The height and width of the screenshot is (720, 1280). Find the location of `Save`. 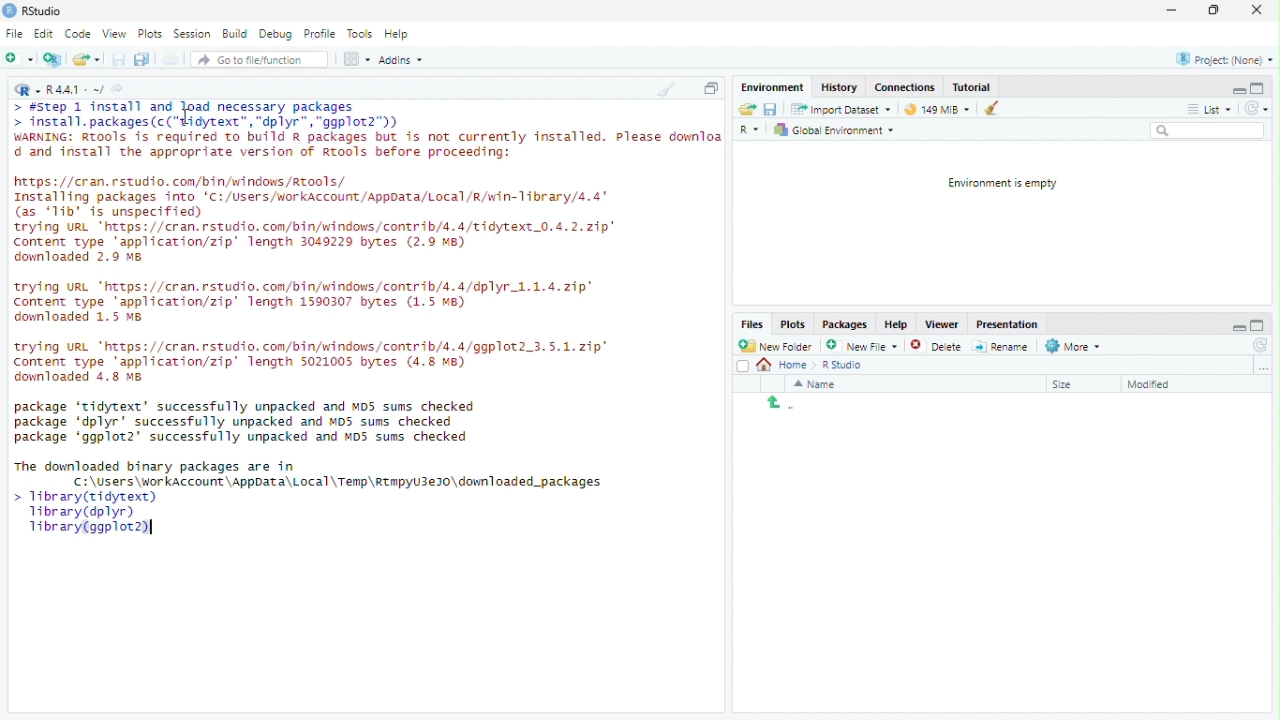

Save is located at coordinates (119, 59).